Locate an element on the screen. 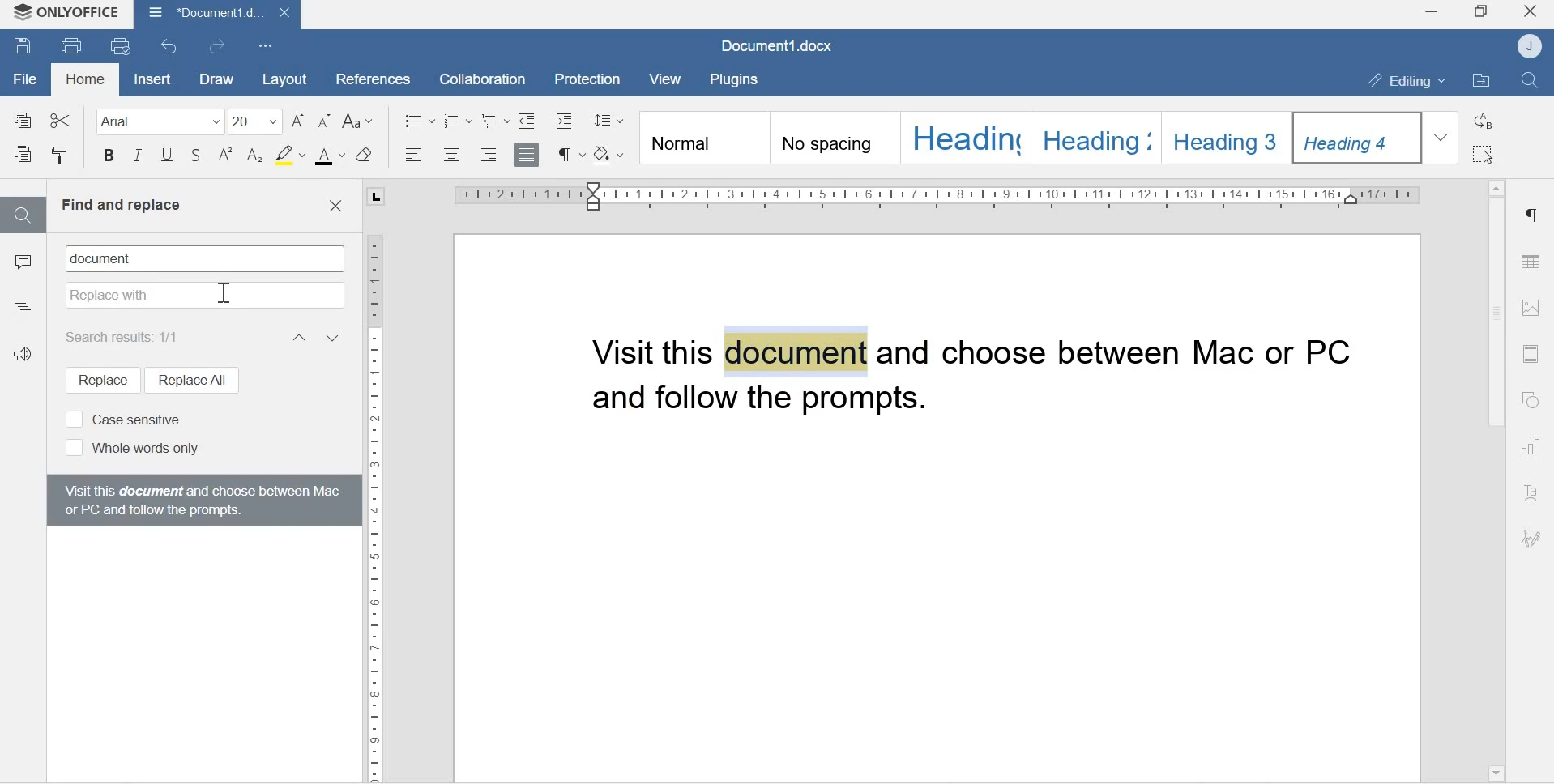 The width and height of the screenshot is (1554, 784). Normal is located at coordinates (702, 139).